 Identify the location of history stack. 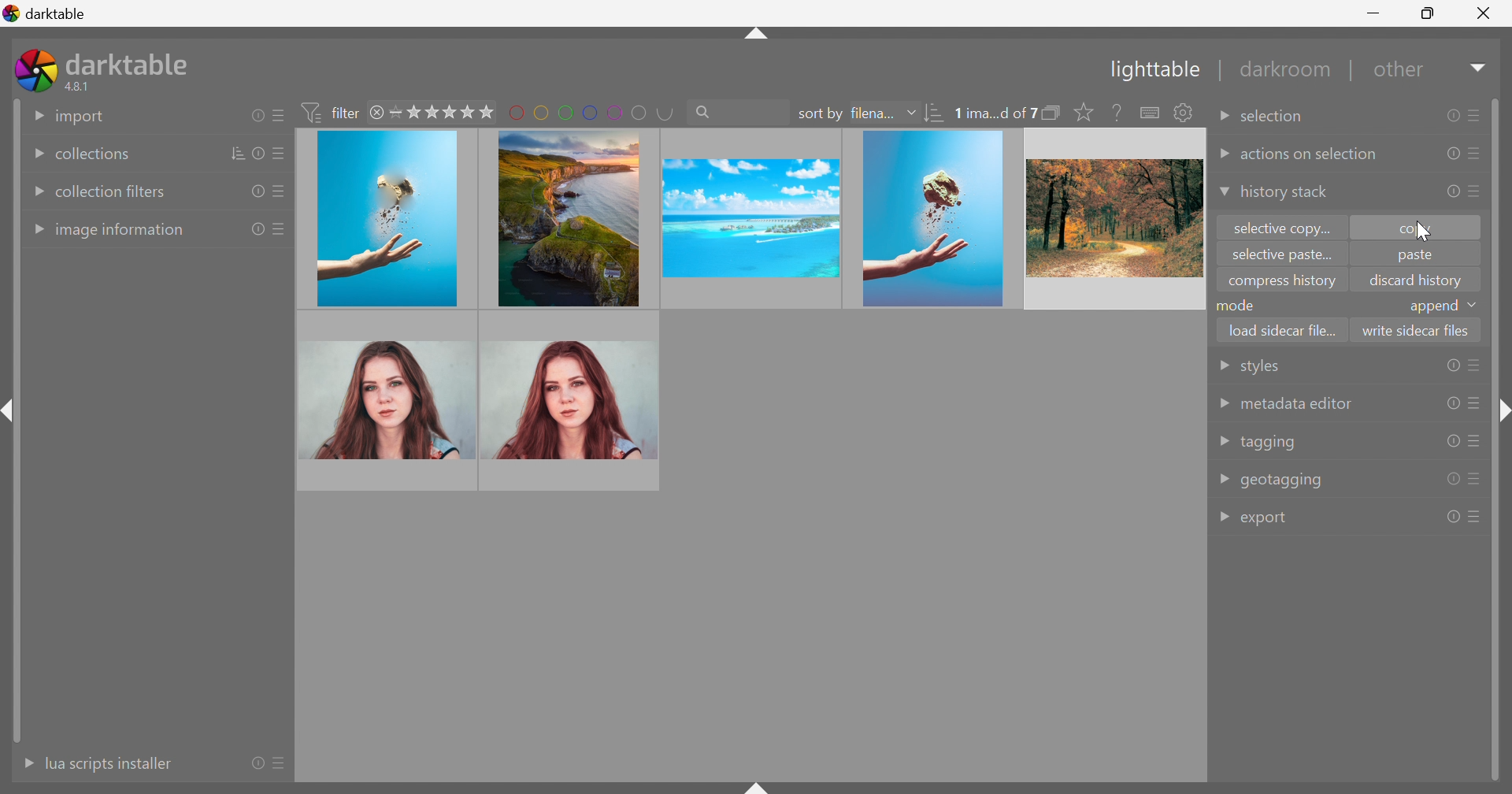
(1284, 193).